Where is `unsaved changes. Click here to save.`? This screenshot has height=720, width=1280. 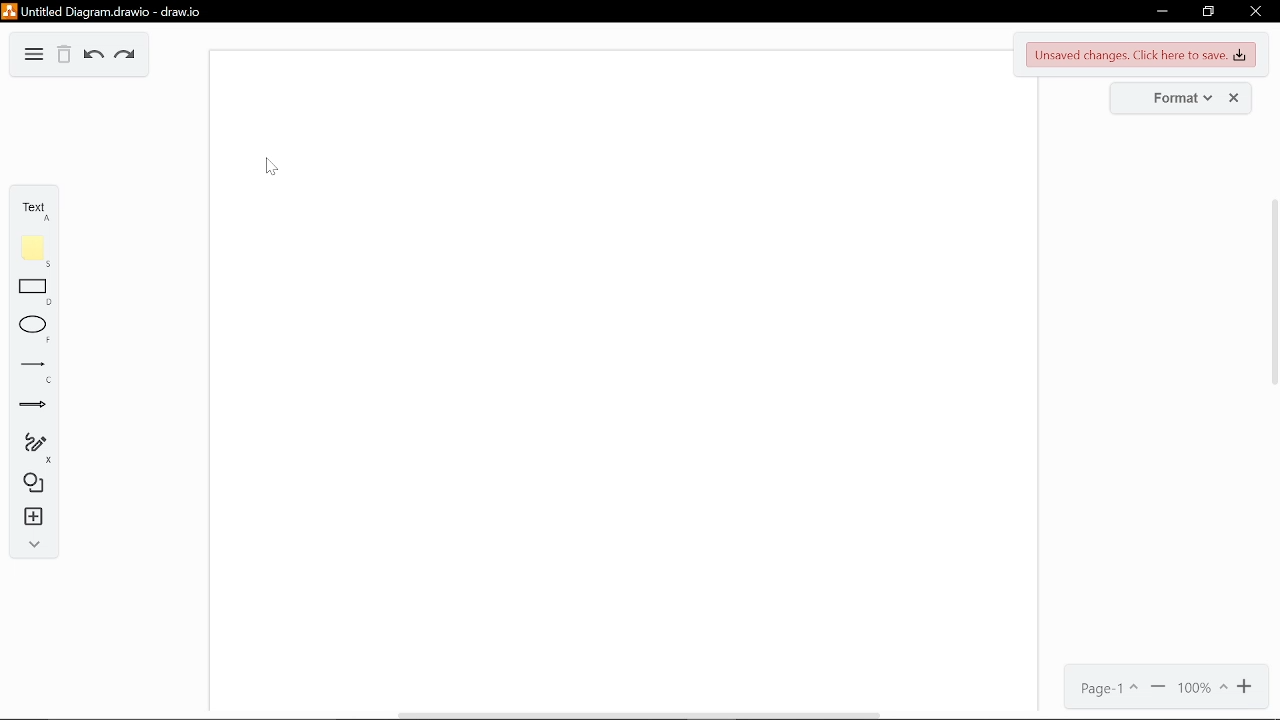 unsaved changes. Click here to save. is located at coordinates (1141, 55).